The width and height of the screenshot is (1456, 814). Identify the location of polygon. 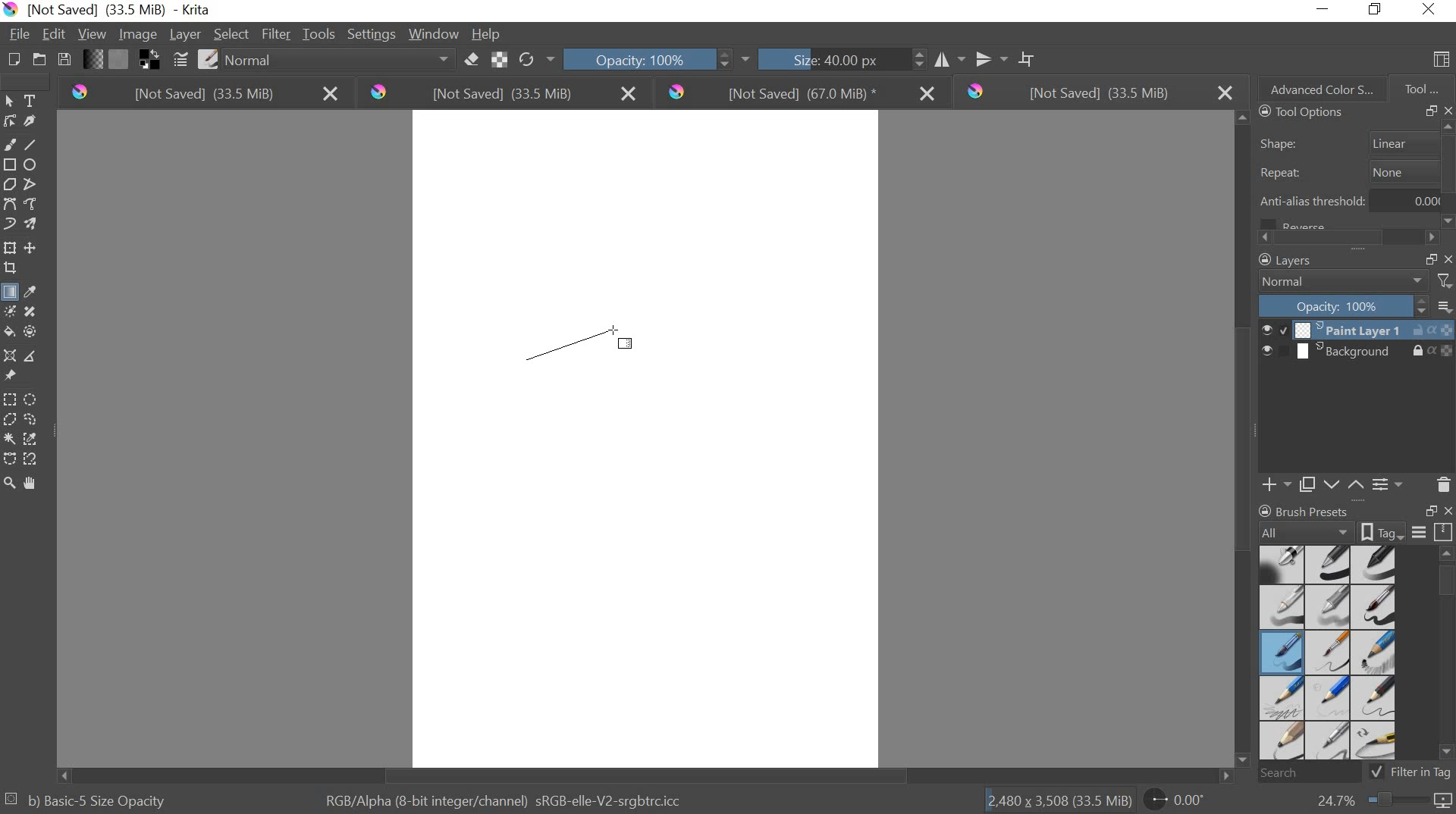
(11, 183).